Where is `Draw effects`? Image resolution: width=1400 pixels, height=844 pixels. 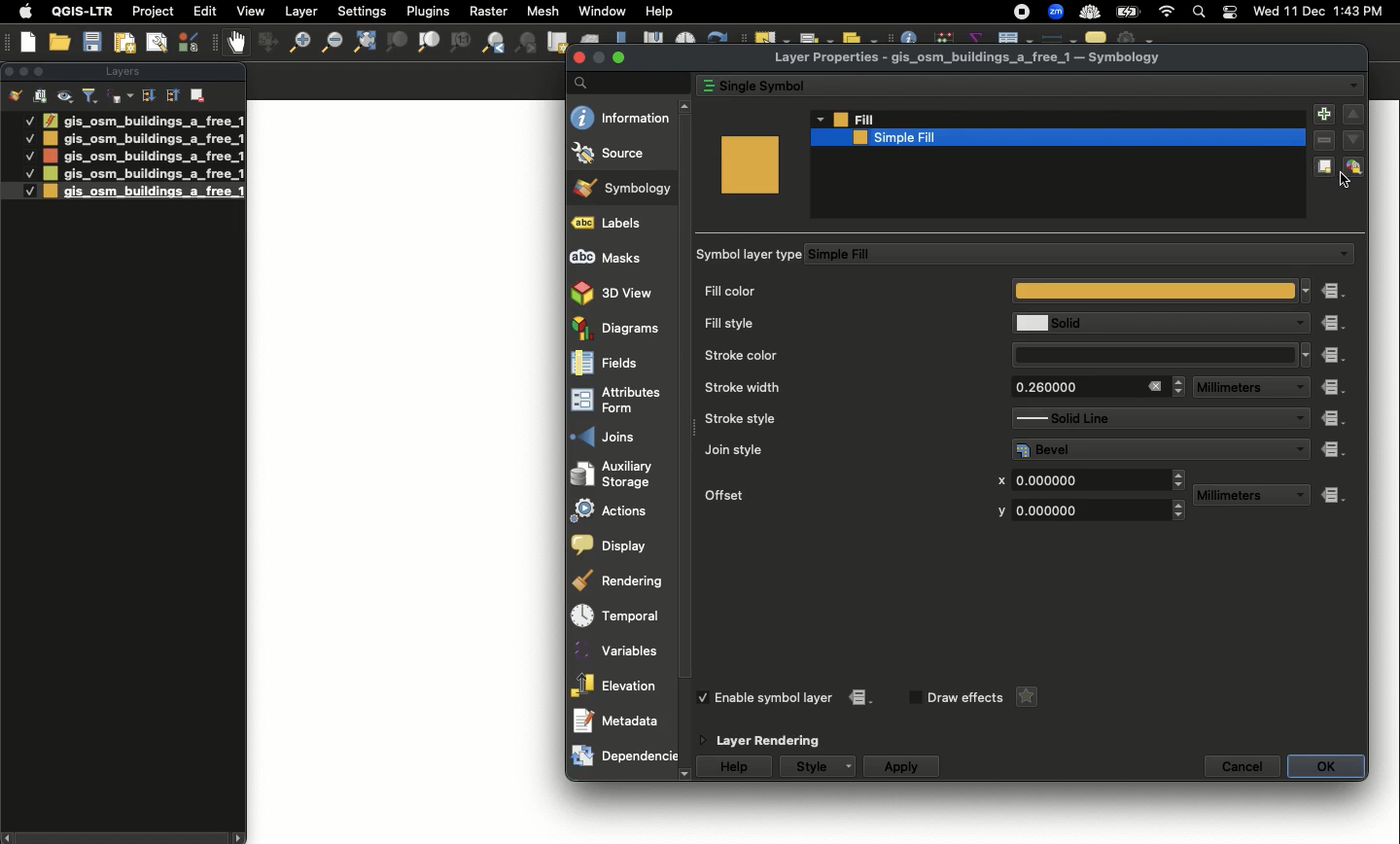 Draw effects is located at coordinates (964, 698).